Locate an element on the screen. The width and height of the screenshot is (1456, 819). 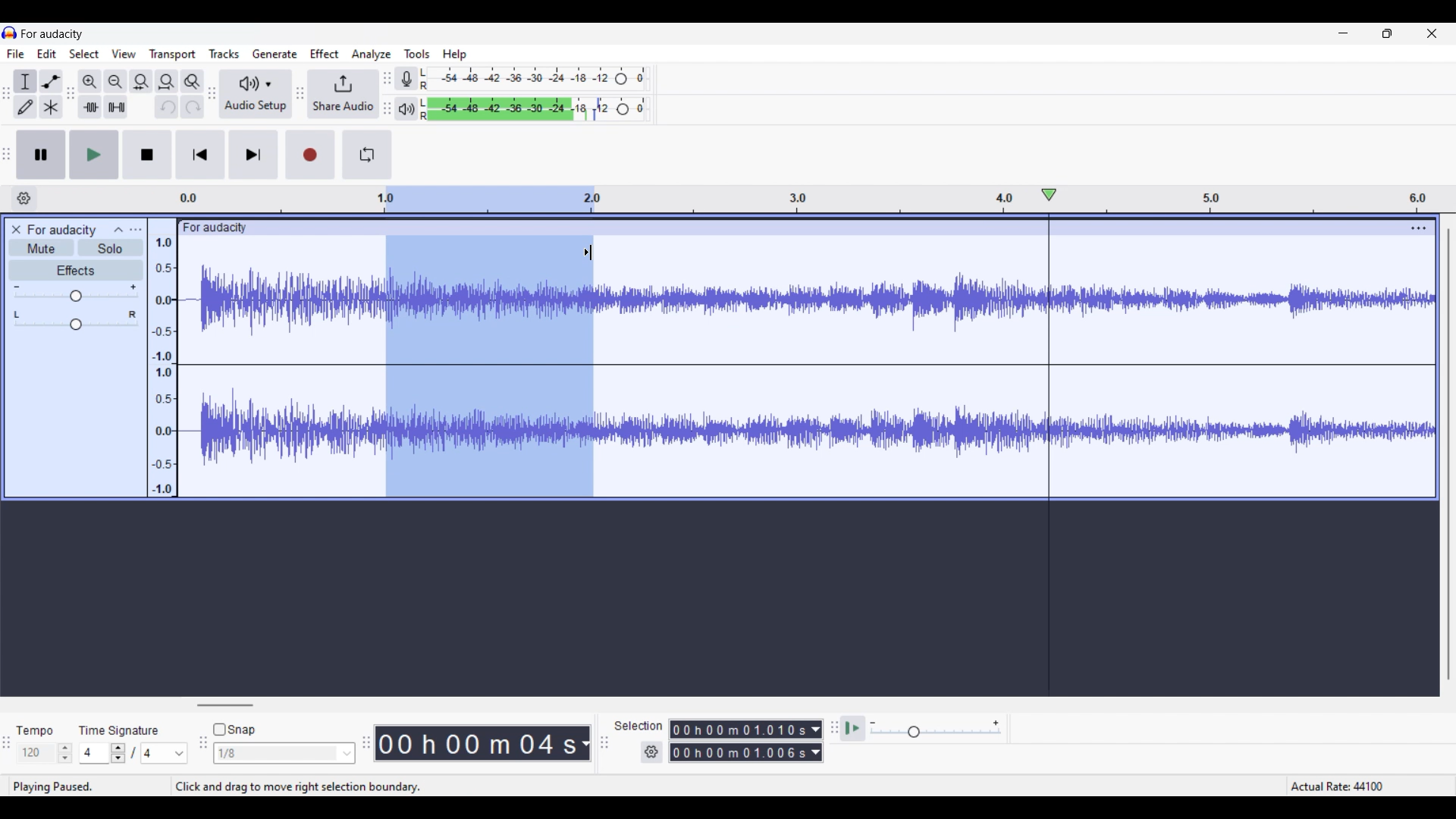
Zoom in is located at coordinates (90, 82).